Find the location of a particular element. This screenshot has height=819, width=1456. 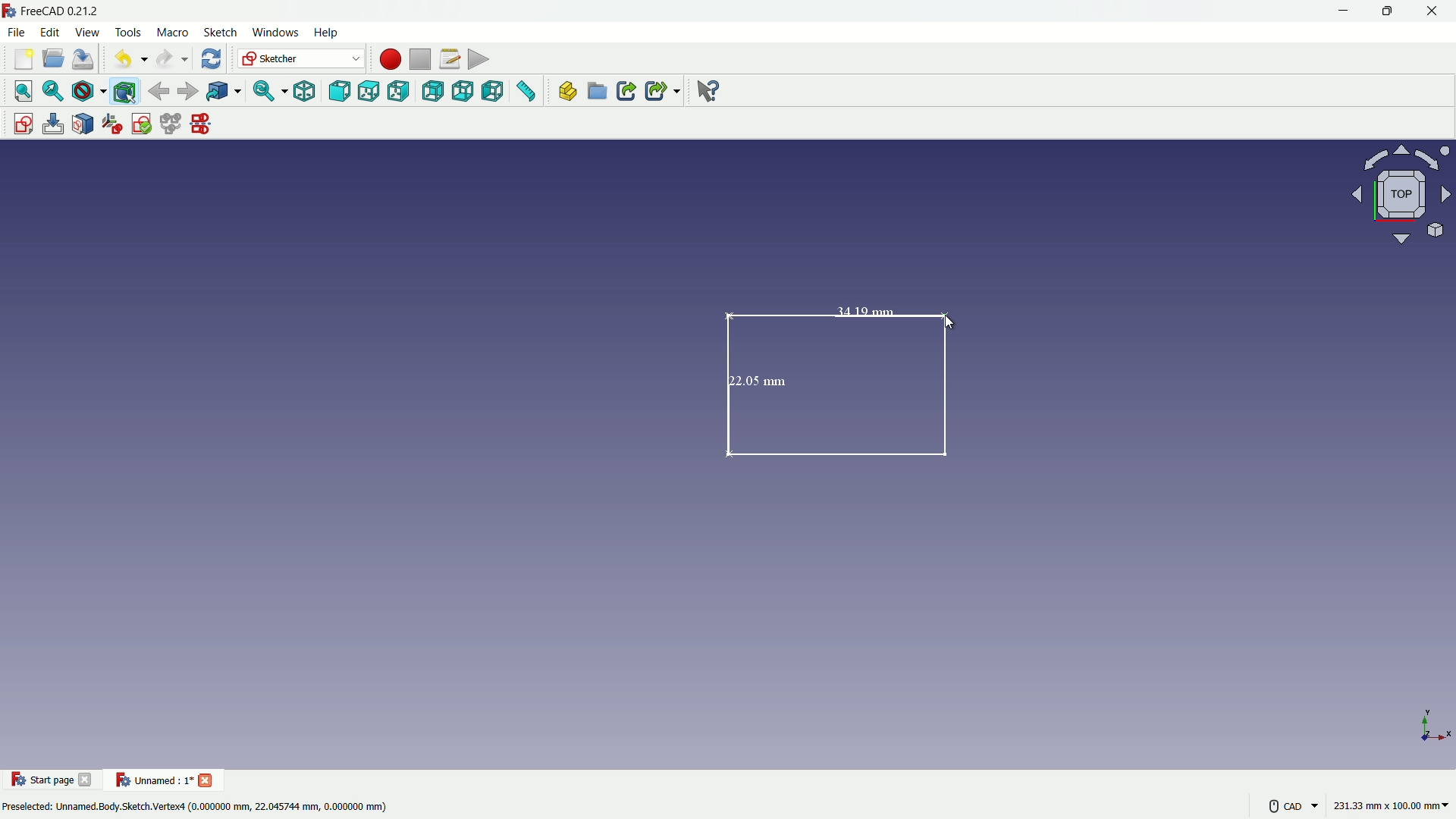

close app is located at coordinates (1436, 11).